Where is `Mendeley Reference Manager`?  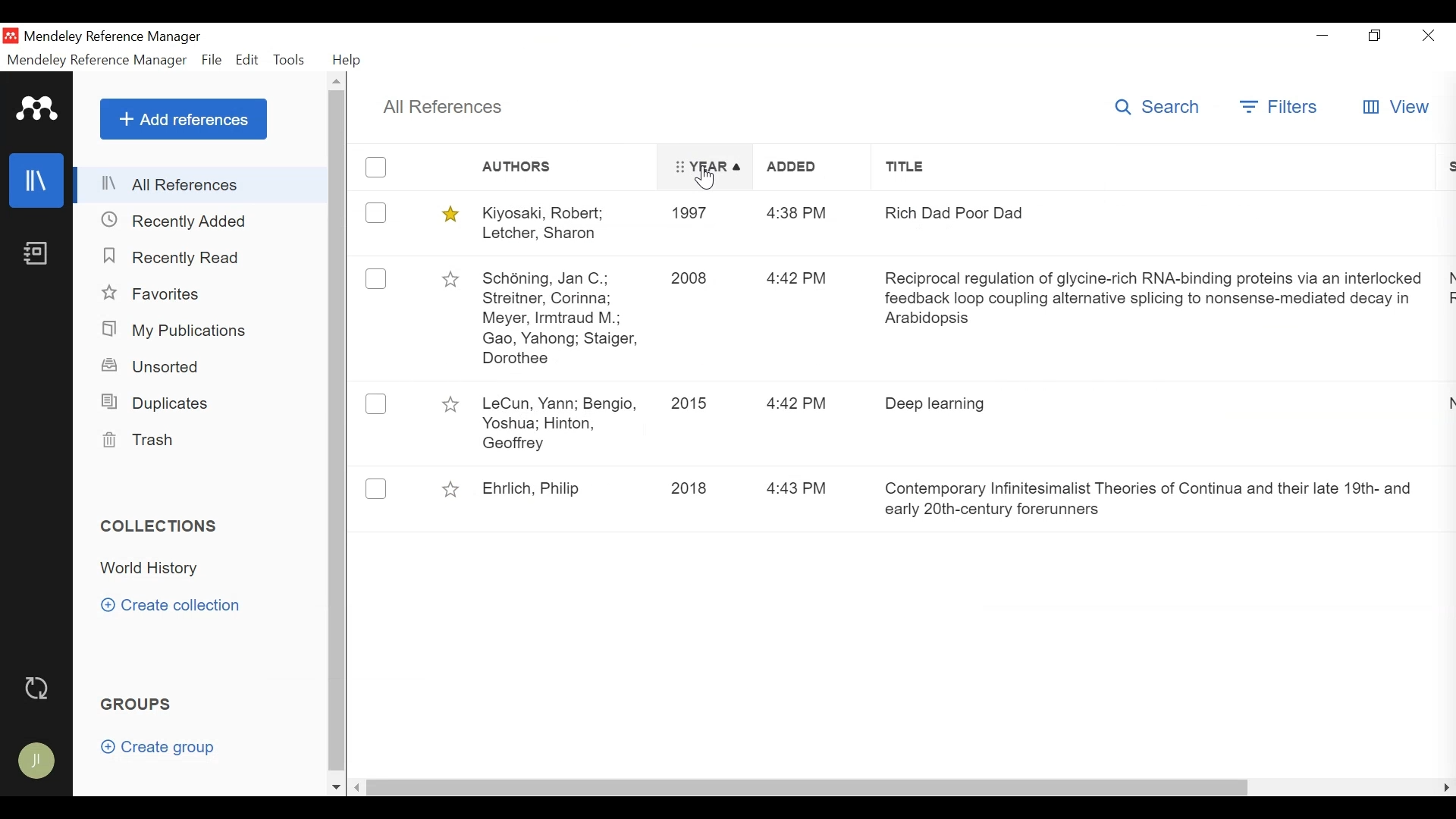
Mendeley Reference Manager is located at coordinates (111, 37).